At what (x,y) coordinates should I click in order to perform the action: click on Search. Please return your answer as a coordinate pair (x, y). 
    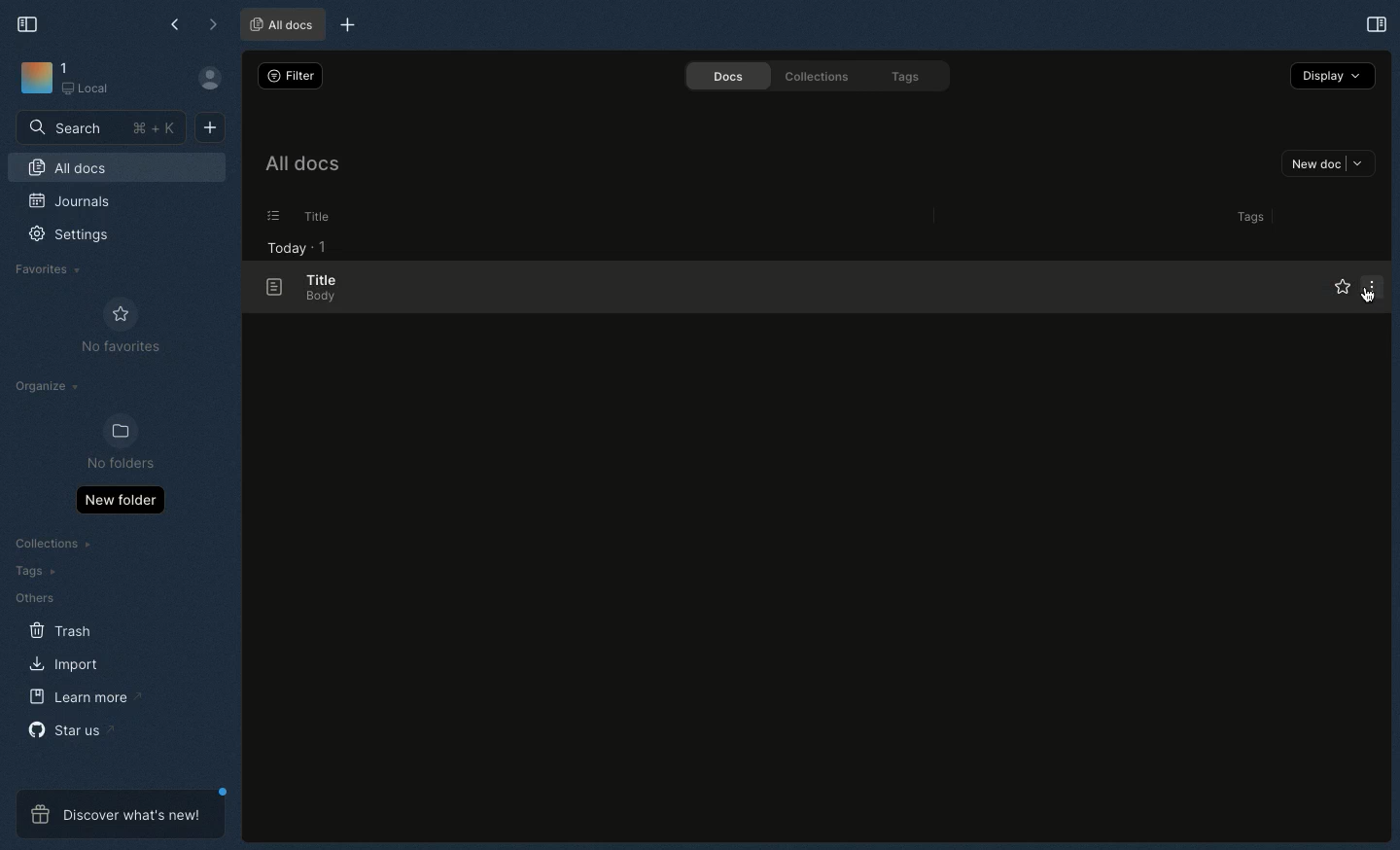
    Looking at the image, I should click on (102, 126).